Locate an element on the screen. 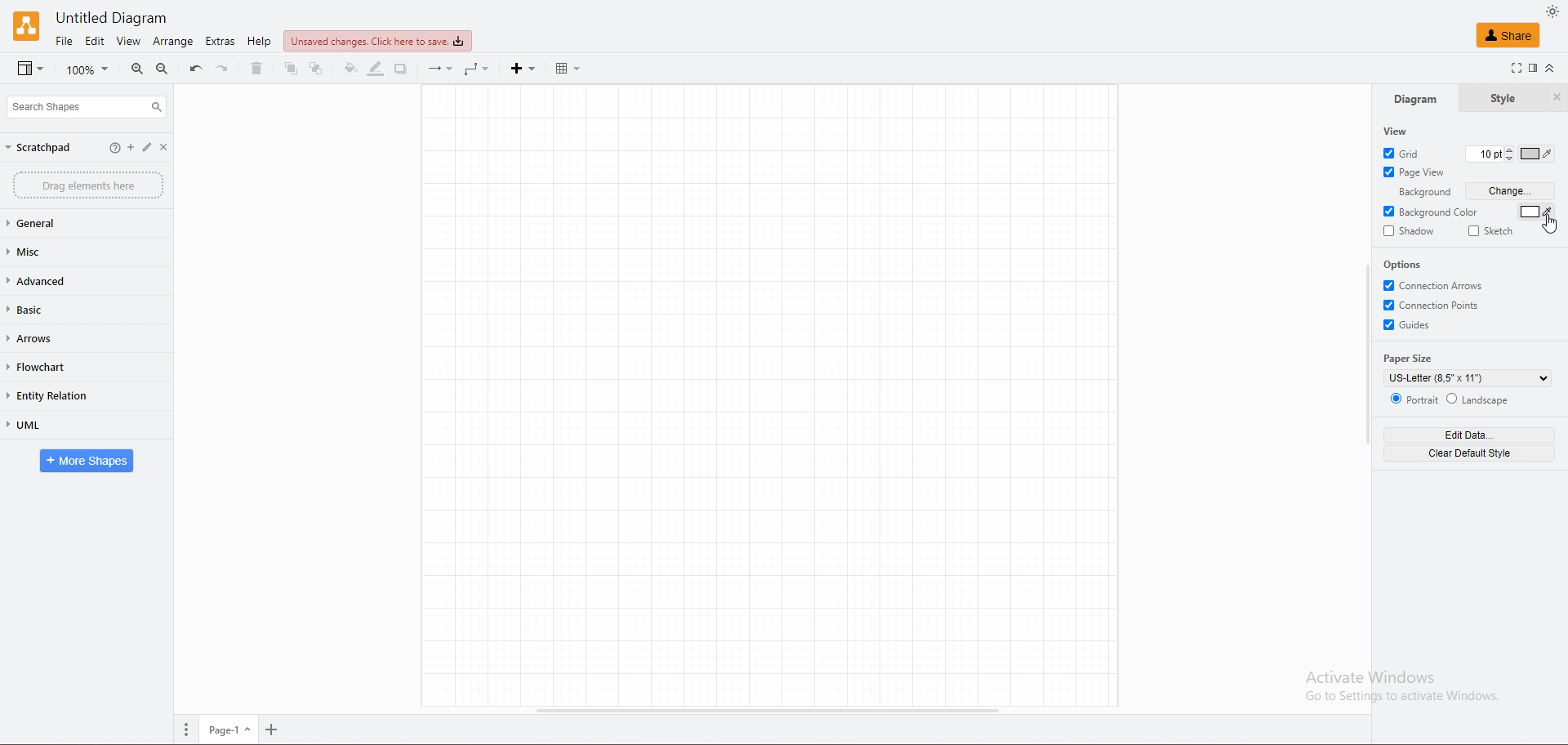 The image size is (1568, 745). edit data is located at coordinates (1469, 435).